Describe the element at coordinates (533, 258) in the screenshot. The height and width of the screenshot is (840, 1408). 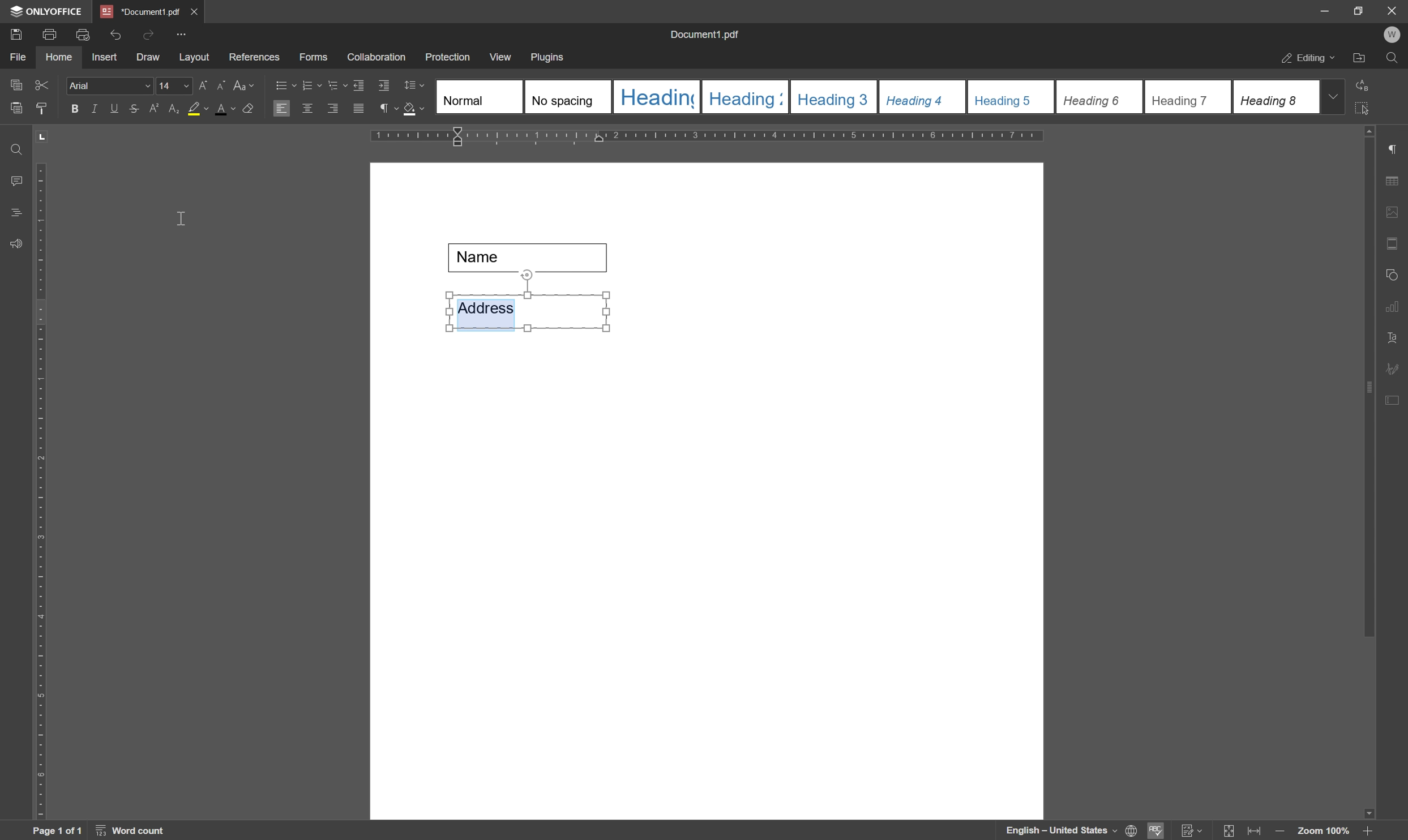
I see `Name` at that location.